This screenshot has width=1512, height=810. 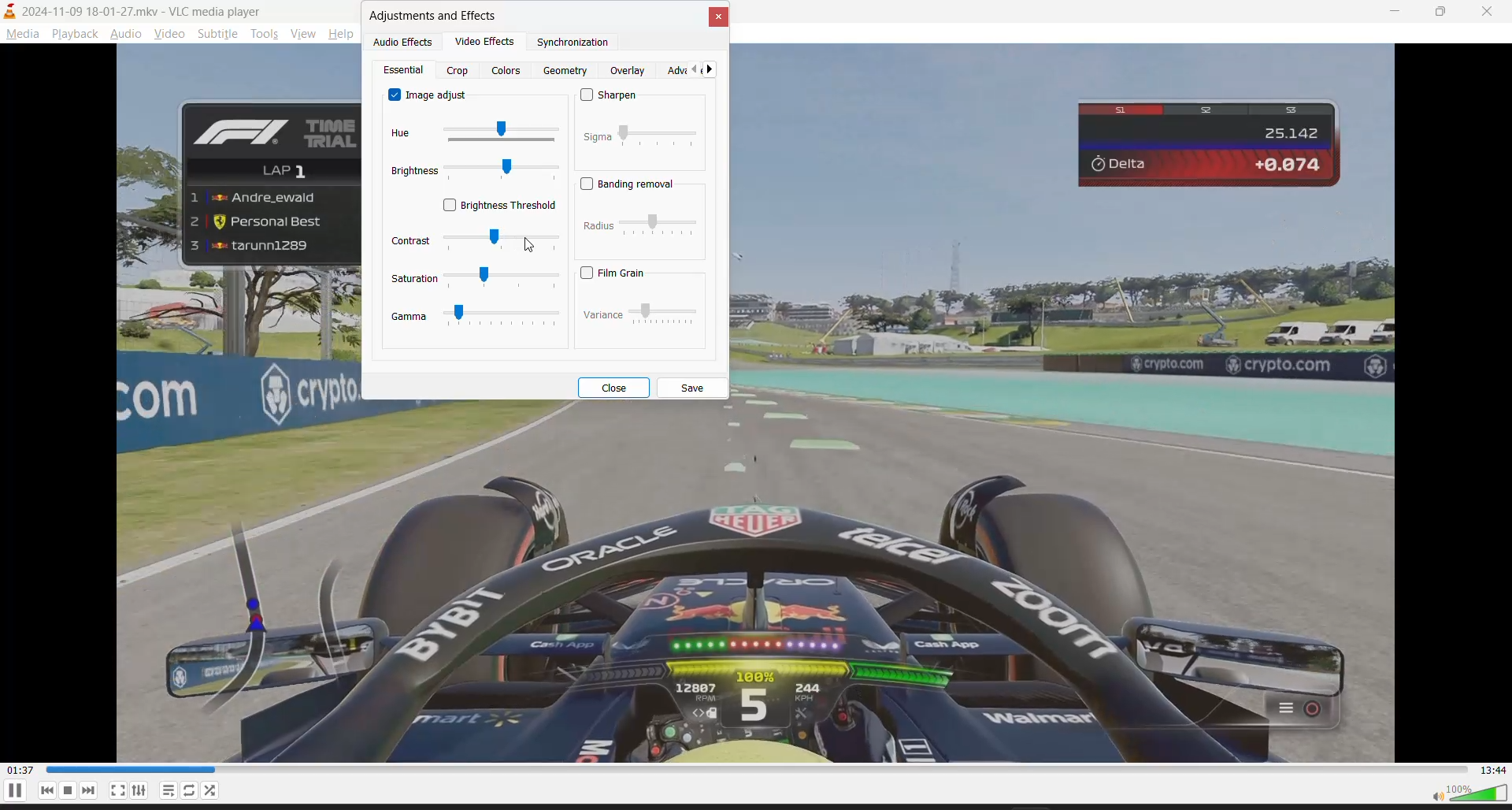 I want to click on subtitle, so click(x=216, y=35).